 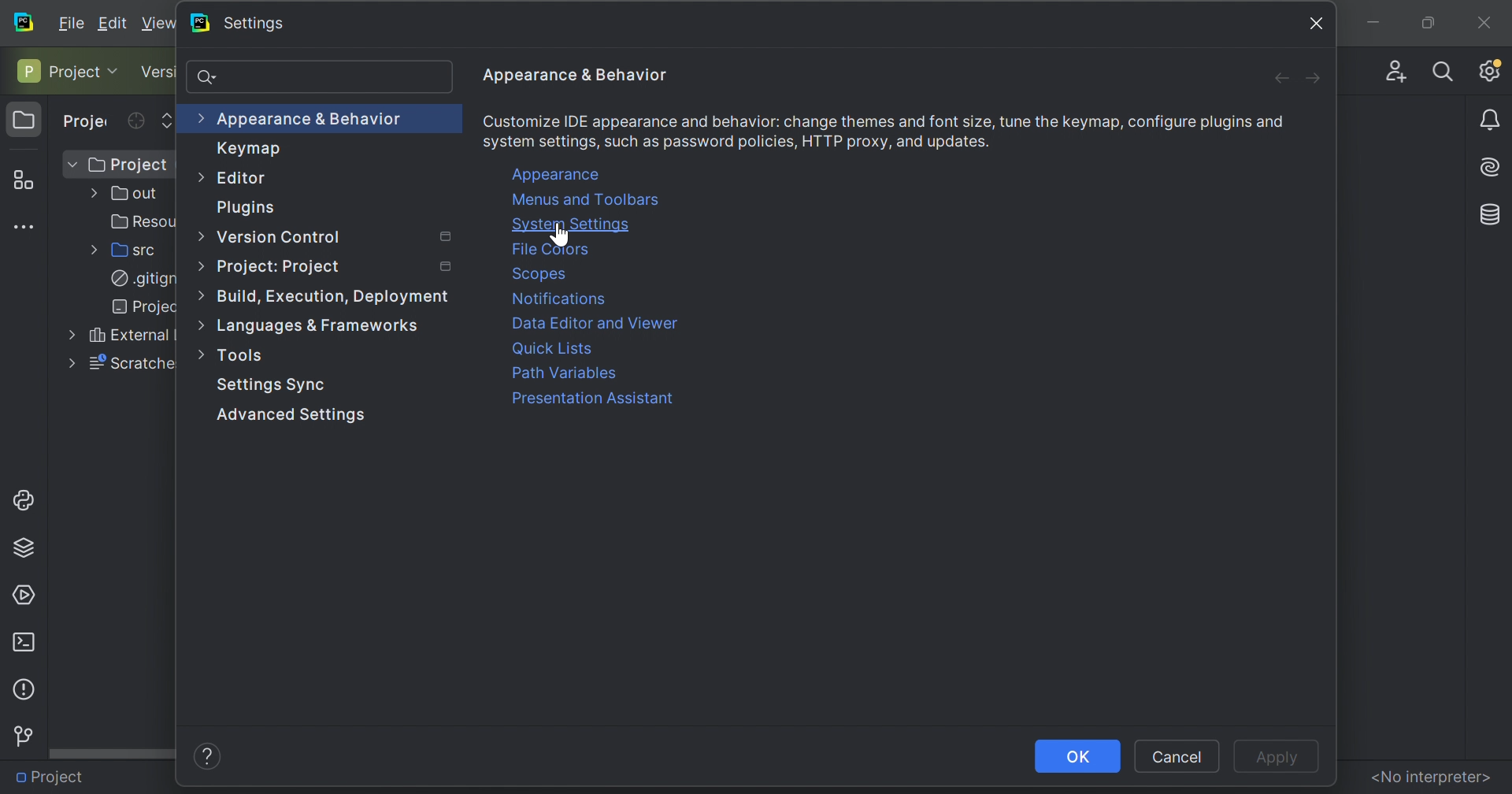 I want to click on system settings, such as password policies, HTTP proxy, and updates., so click(x=737, y=143).